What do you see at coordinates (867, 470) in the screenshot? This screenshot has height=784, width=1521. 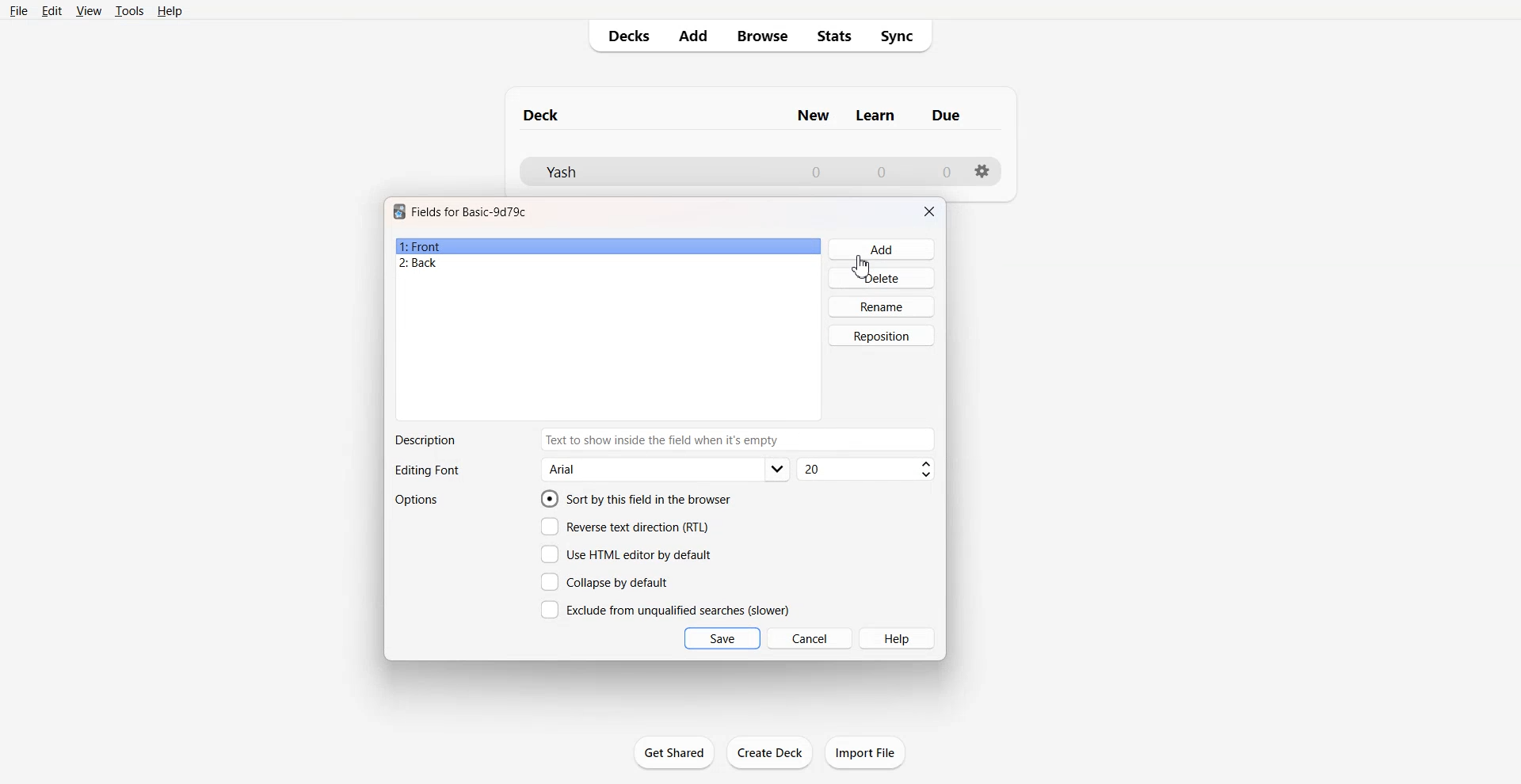 I see `Font size` at bounding box center [867, 470].